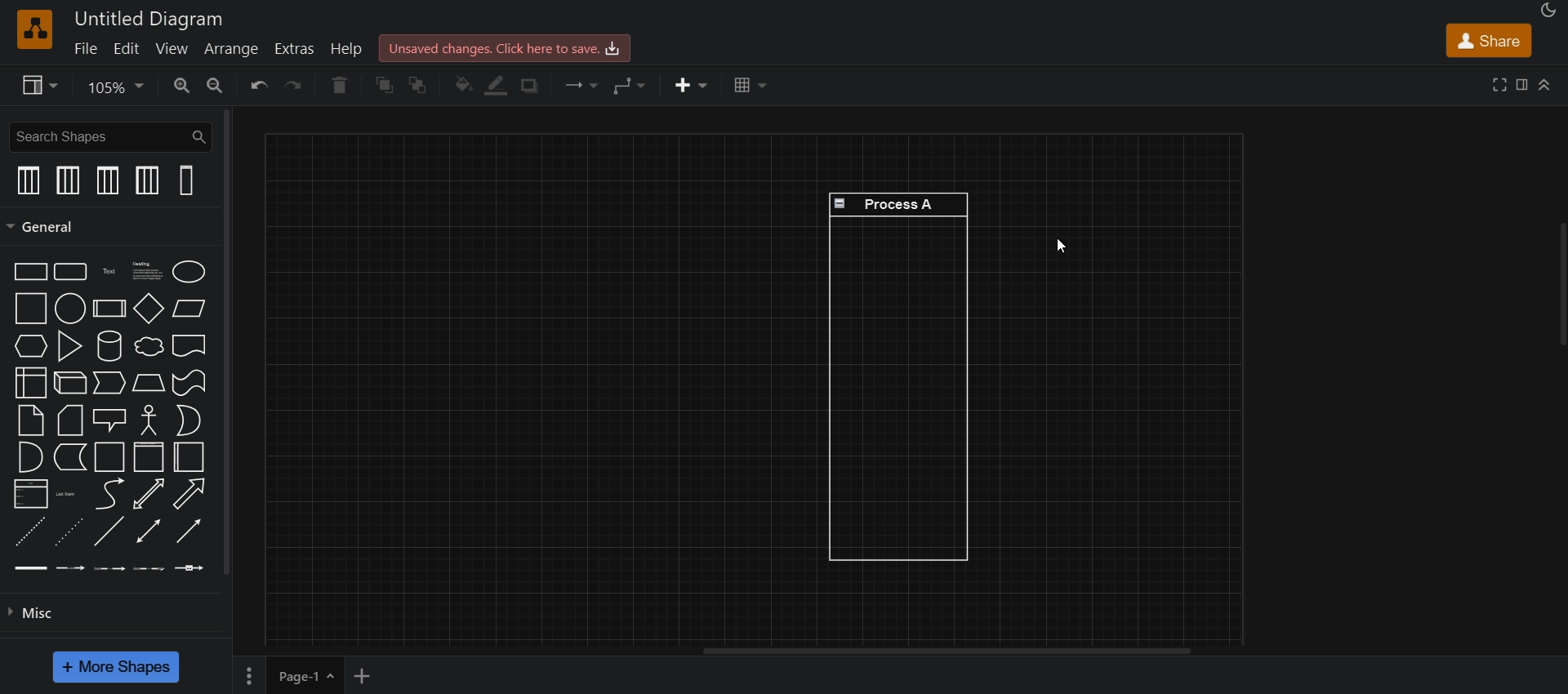  What do you see at coordinates (145, 19) in the screenshot?
I see `title` at bounding box center [145, 19].